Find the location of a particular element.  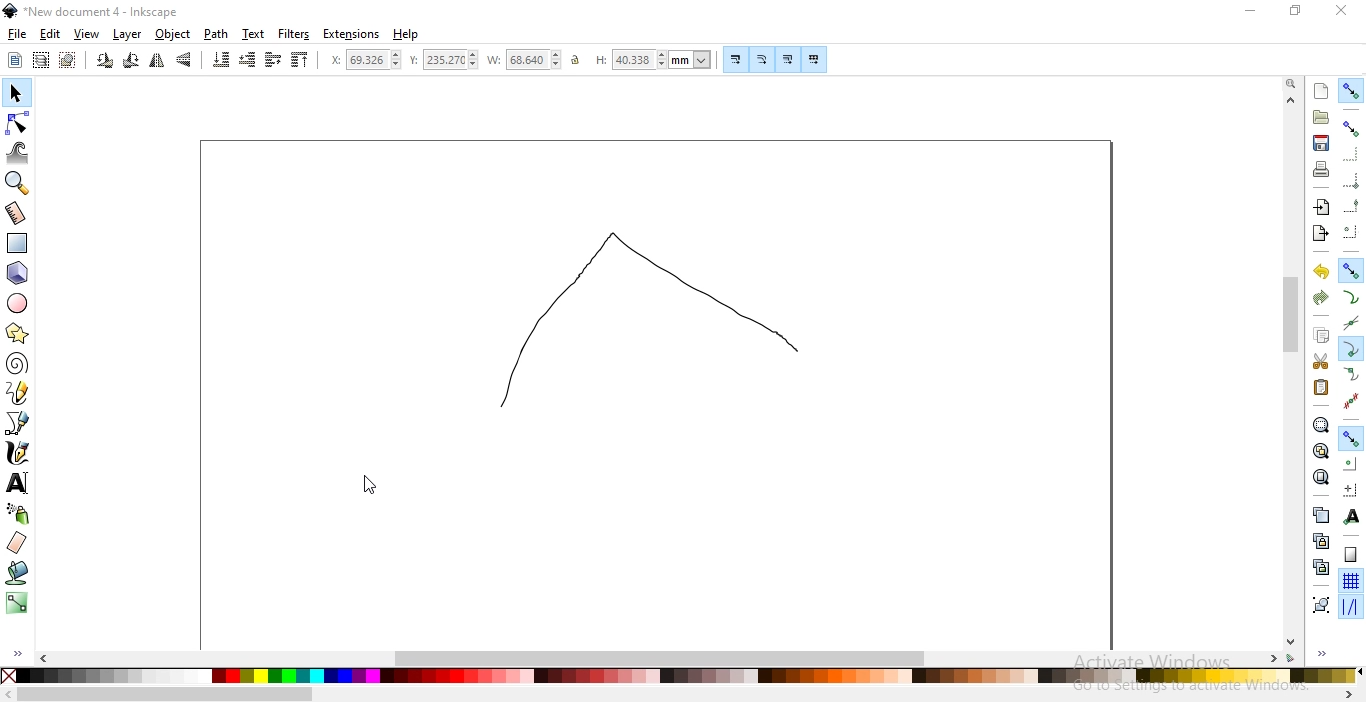

deselect any selected paths is located at coordinates (67, 61).